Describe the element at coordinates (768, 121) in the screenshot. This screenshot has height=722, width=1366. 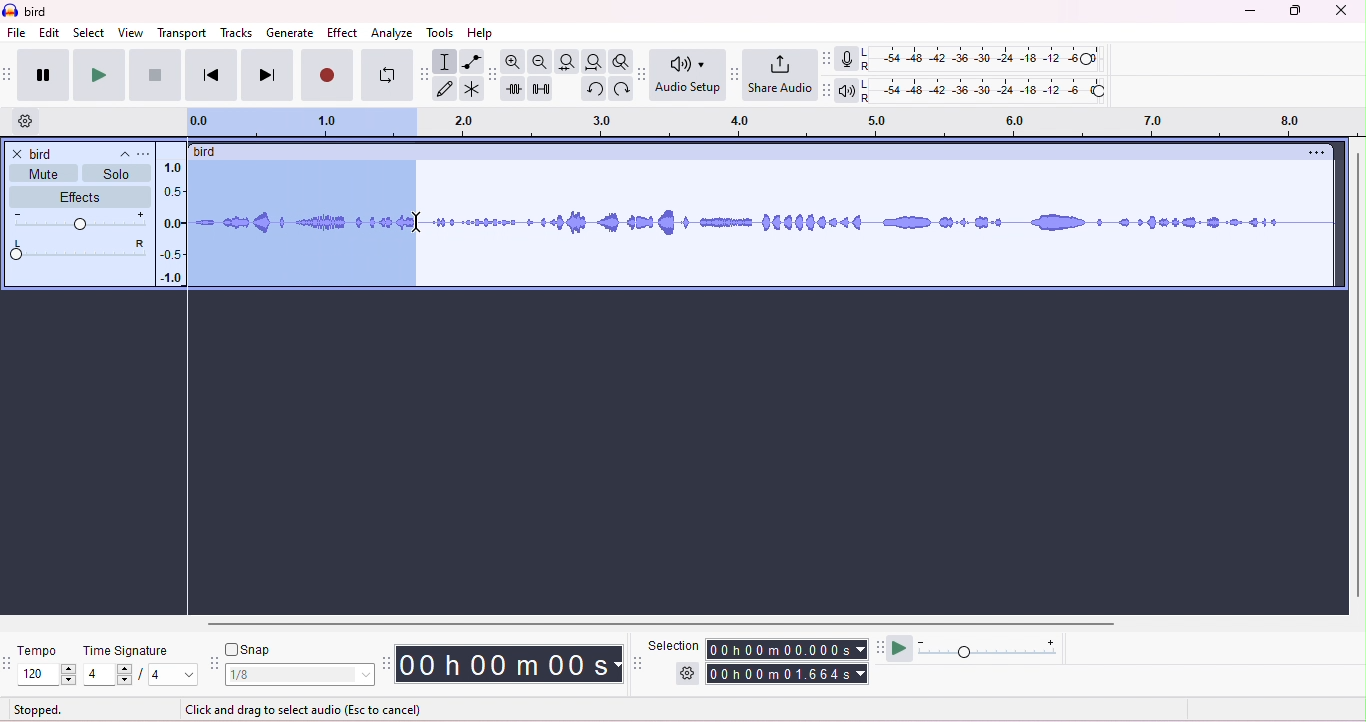
I see `timeline` at that location.